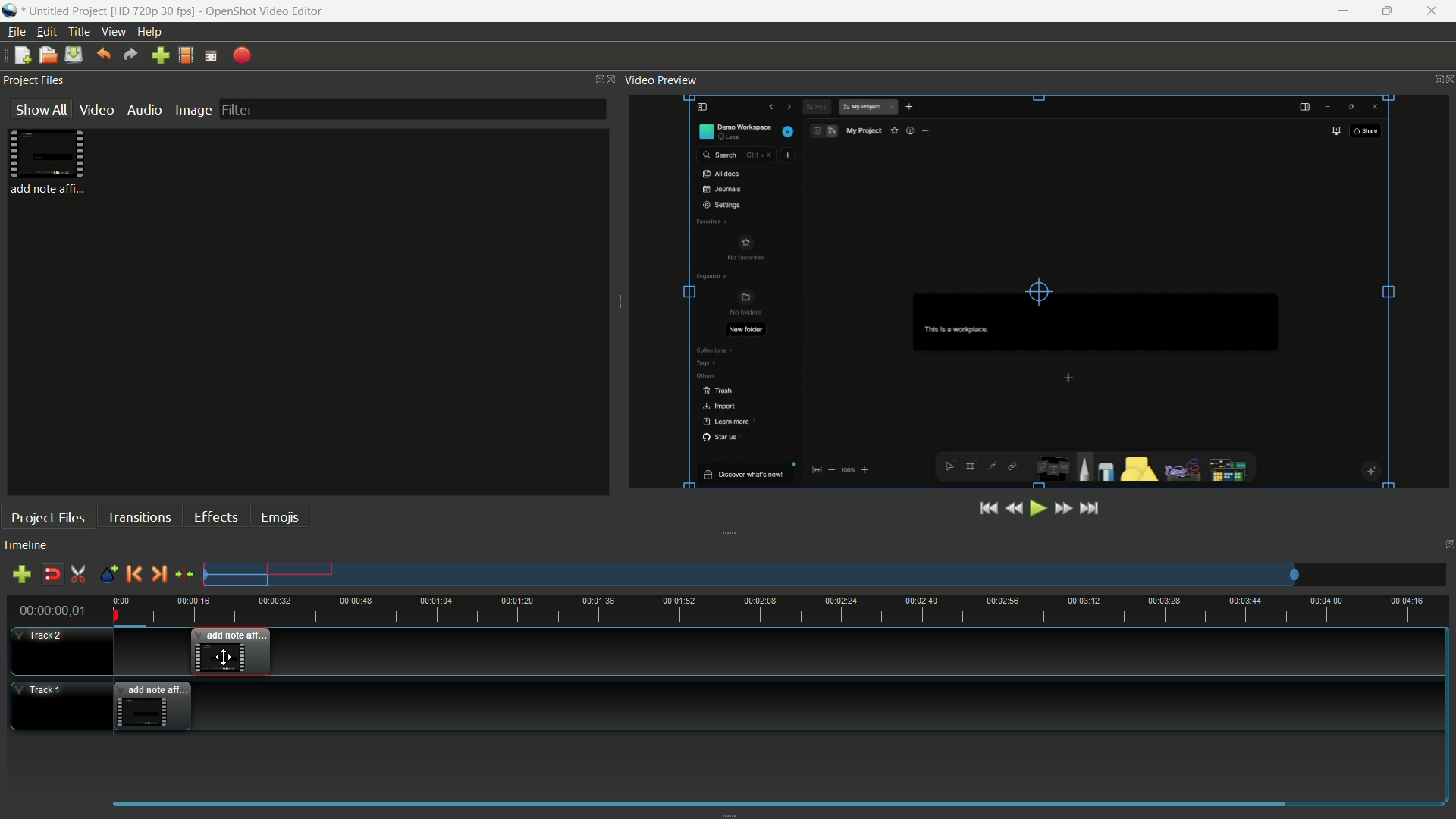  I want to click on filter bar, so click(412, 108).